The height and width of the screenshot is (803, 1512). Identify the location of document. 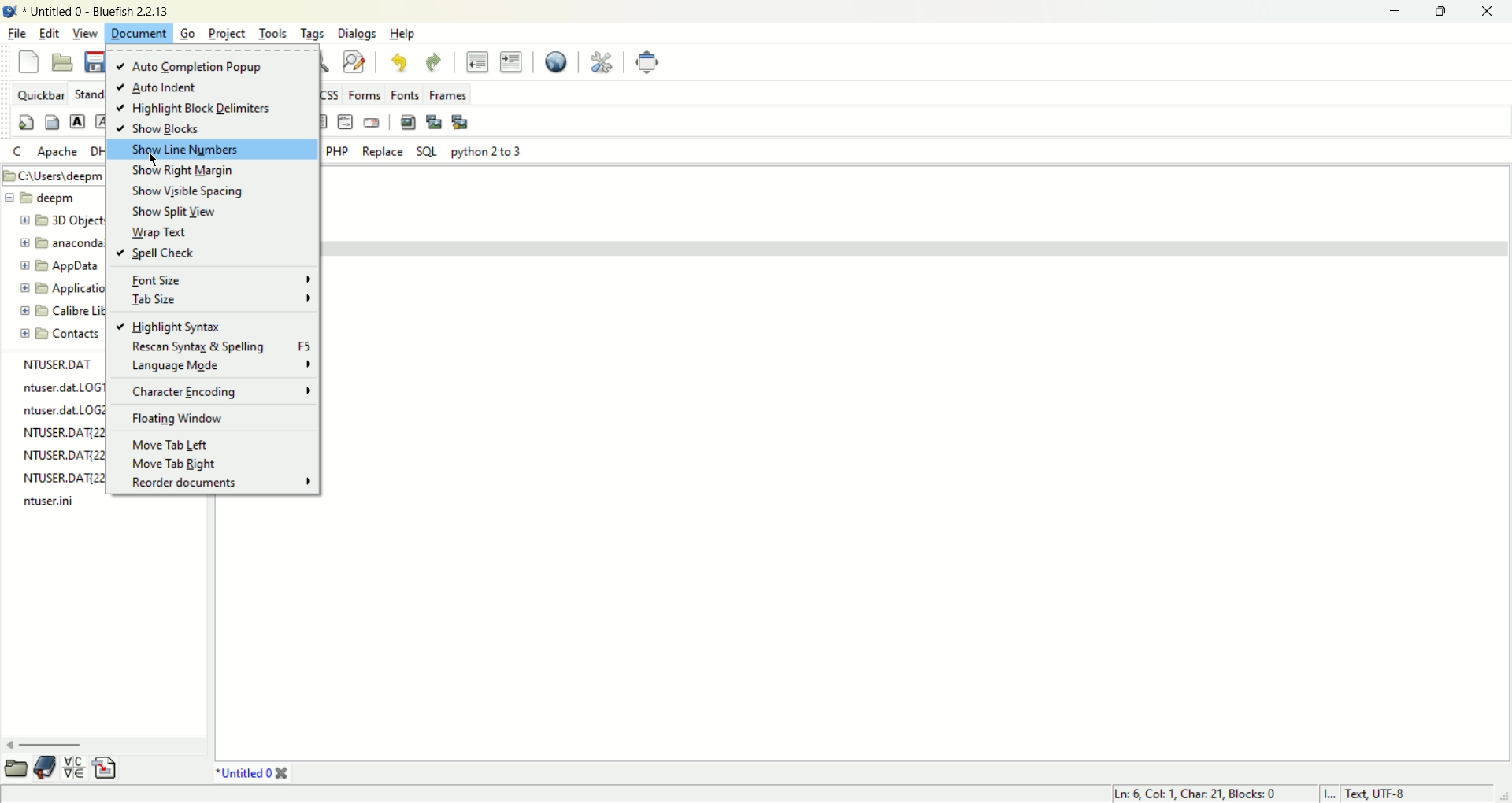
(137, 33).